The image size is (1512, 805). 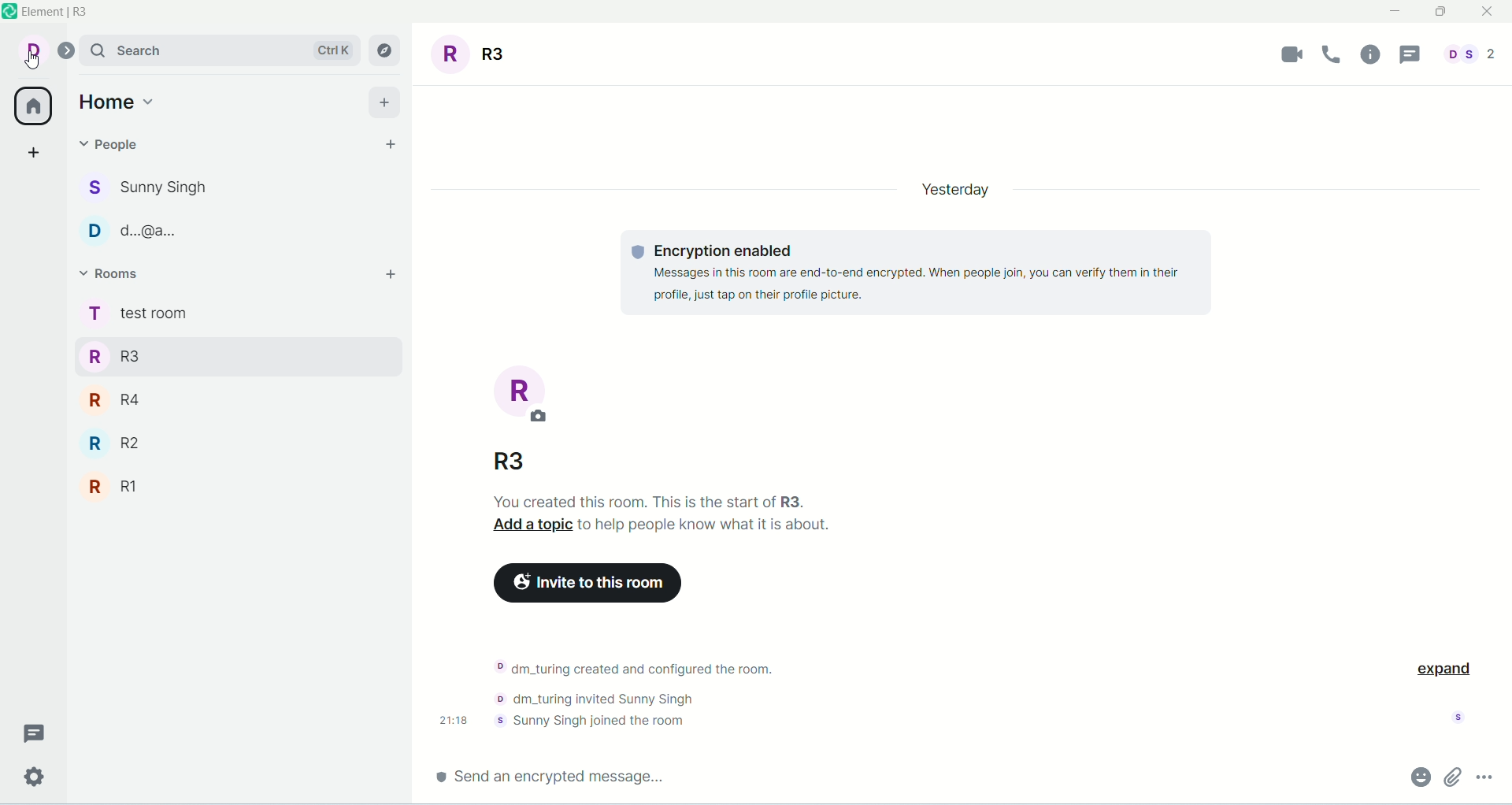 I want to click on settings, so click(x=35, y=777).